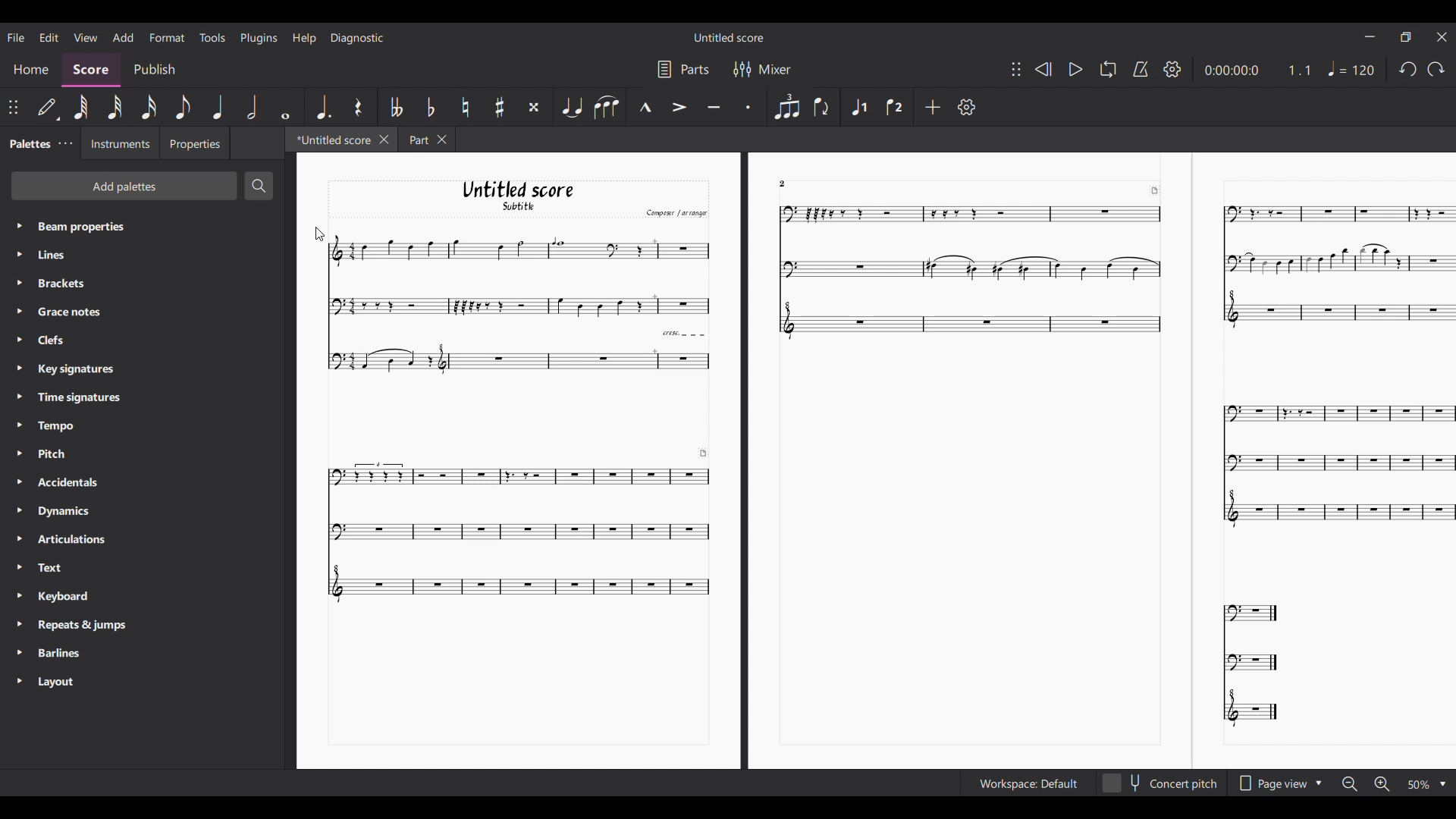 The image size is (1456, 819). Describe the element at coordinates (16, 225) in the screenshot. I see `` at that location.